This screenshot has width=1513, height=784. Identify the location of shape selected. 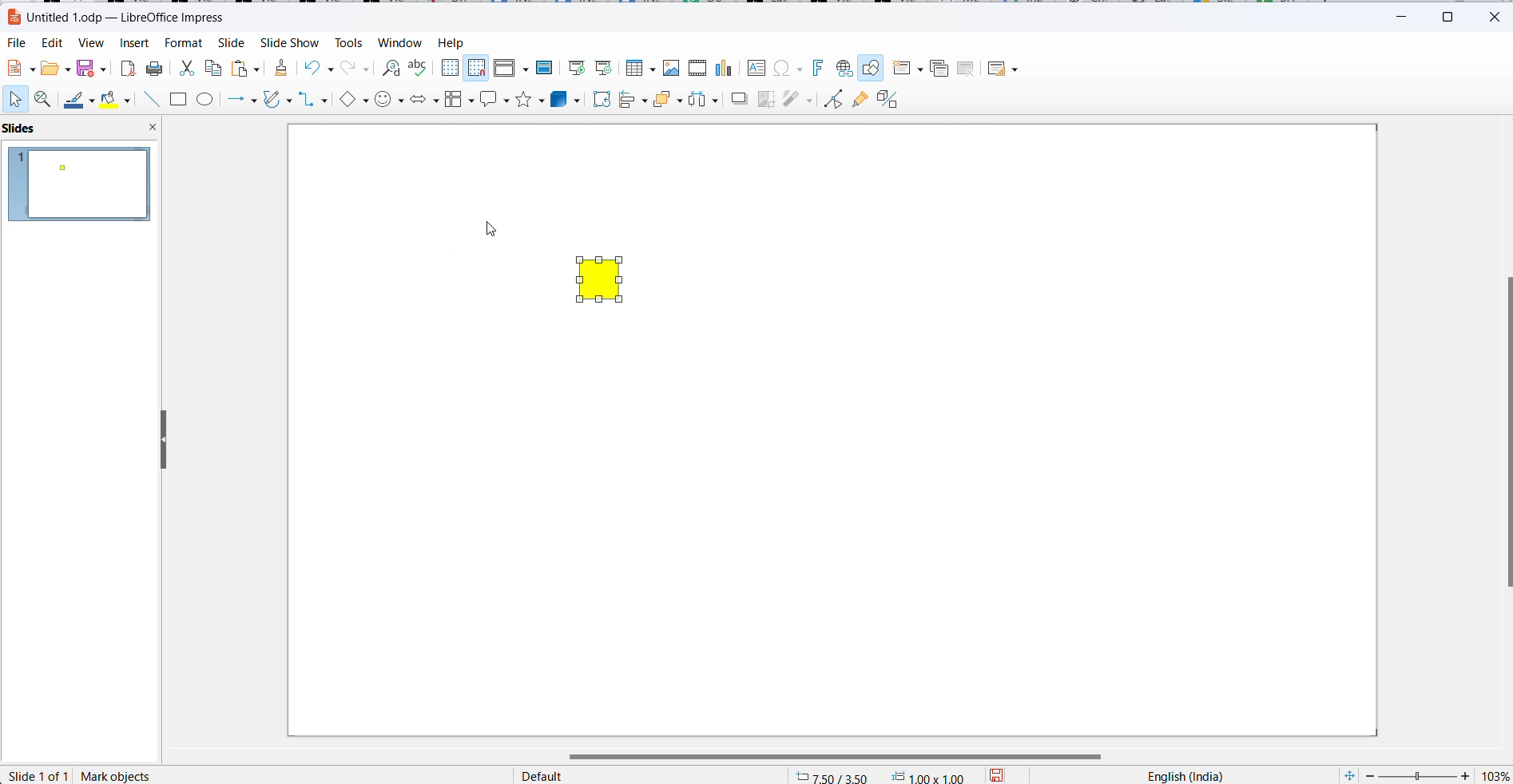
(121, 775).